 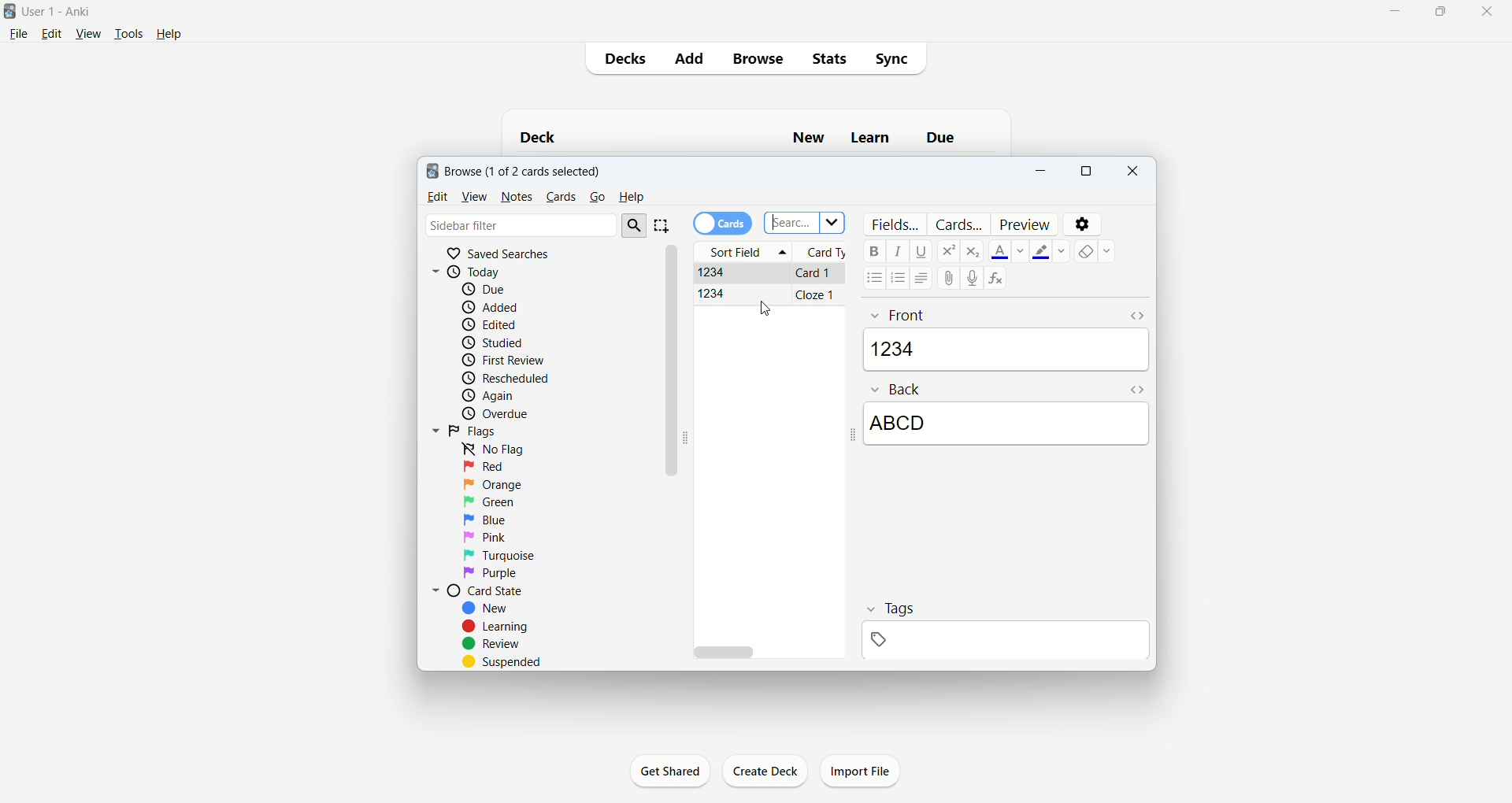 What do you see at coordinates (498, 413) in the screenshot?
I see `overdue` at bounding box center [498, 413].